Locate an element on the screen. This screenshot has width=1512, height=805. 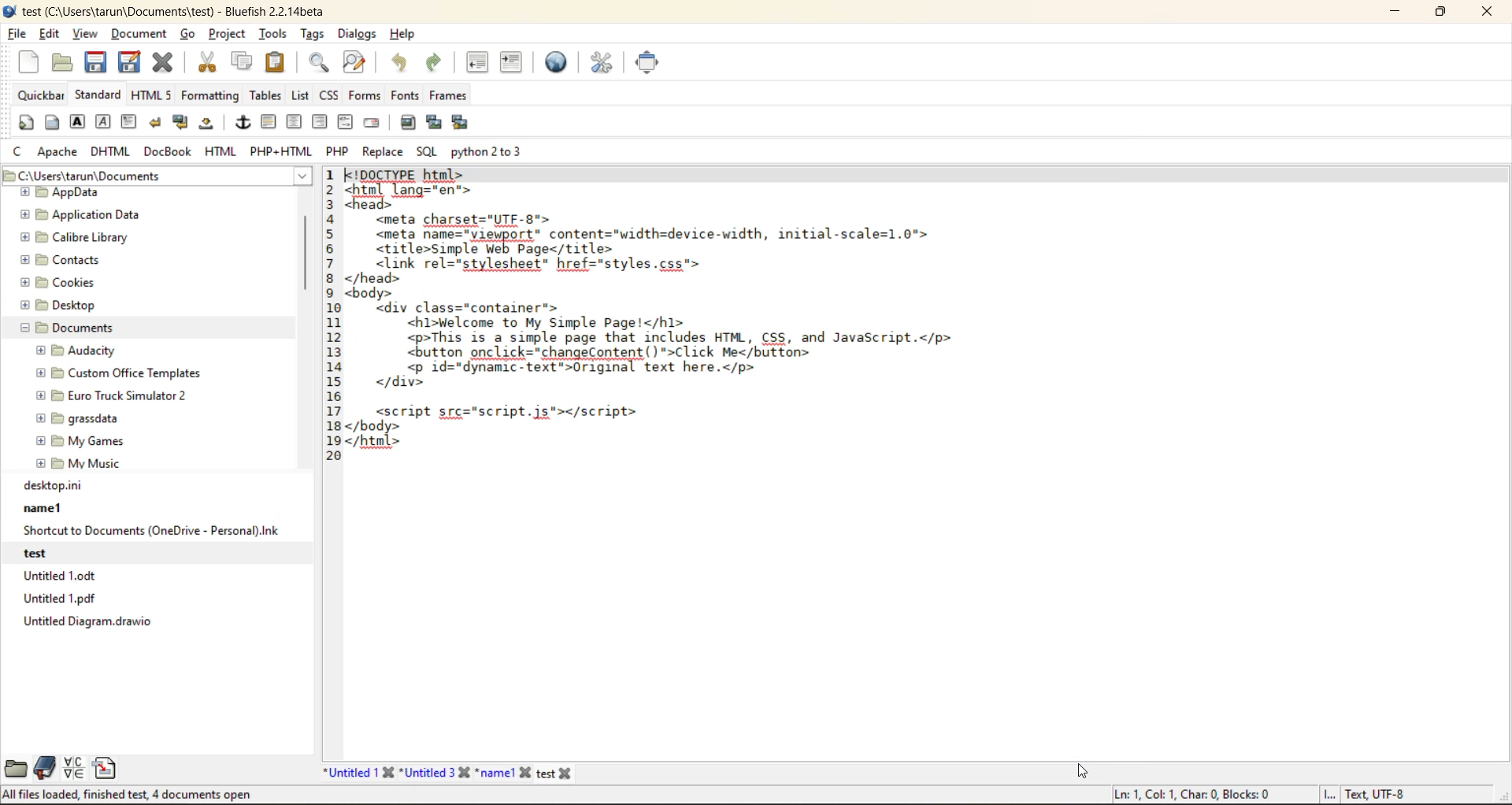
non breaking space is located at coordinates (209, 127).